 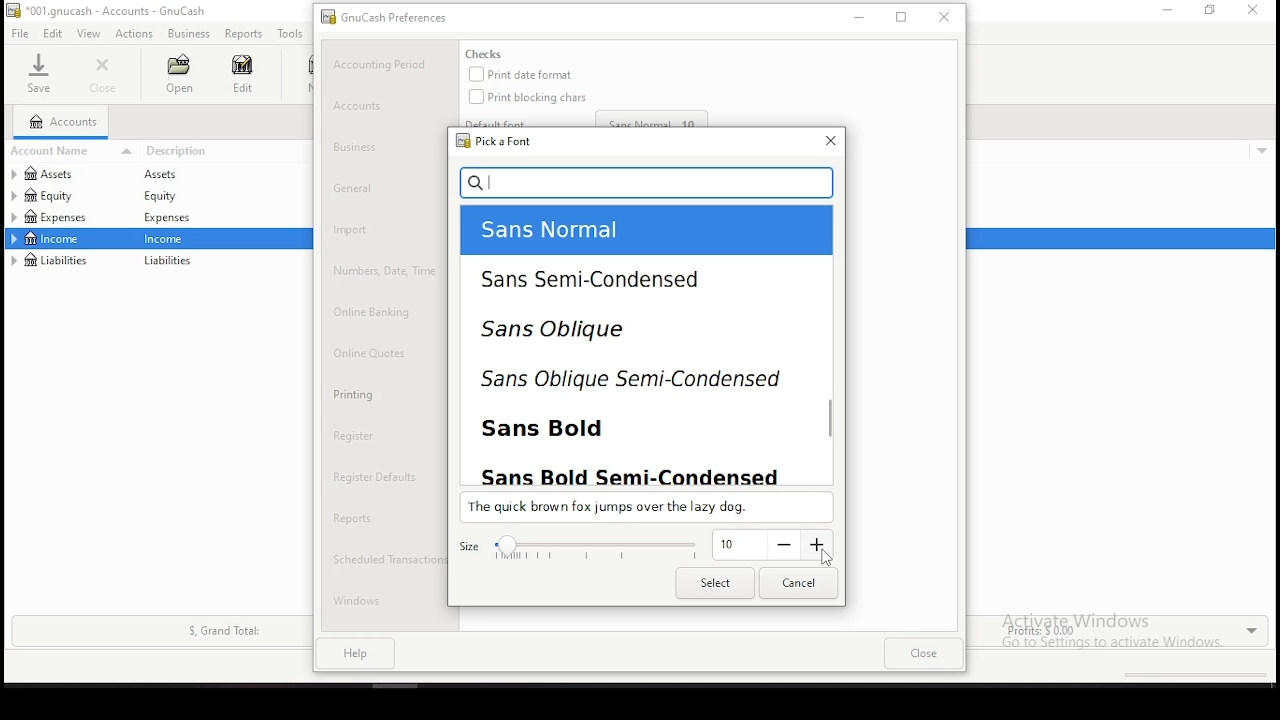 I want to click on Expenses, so click(x=165, y=219).